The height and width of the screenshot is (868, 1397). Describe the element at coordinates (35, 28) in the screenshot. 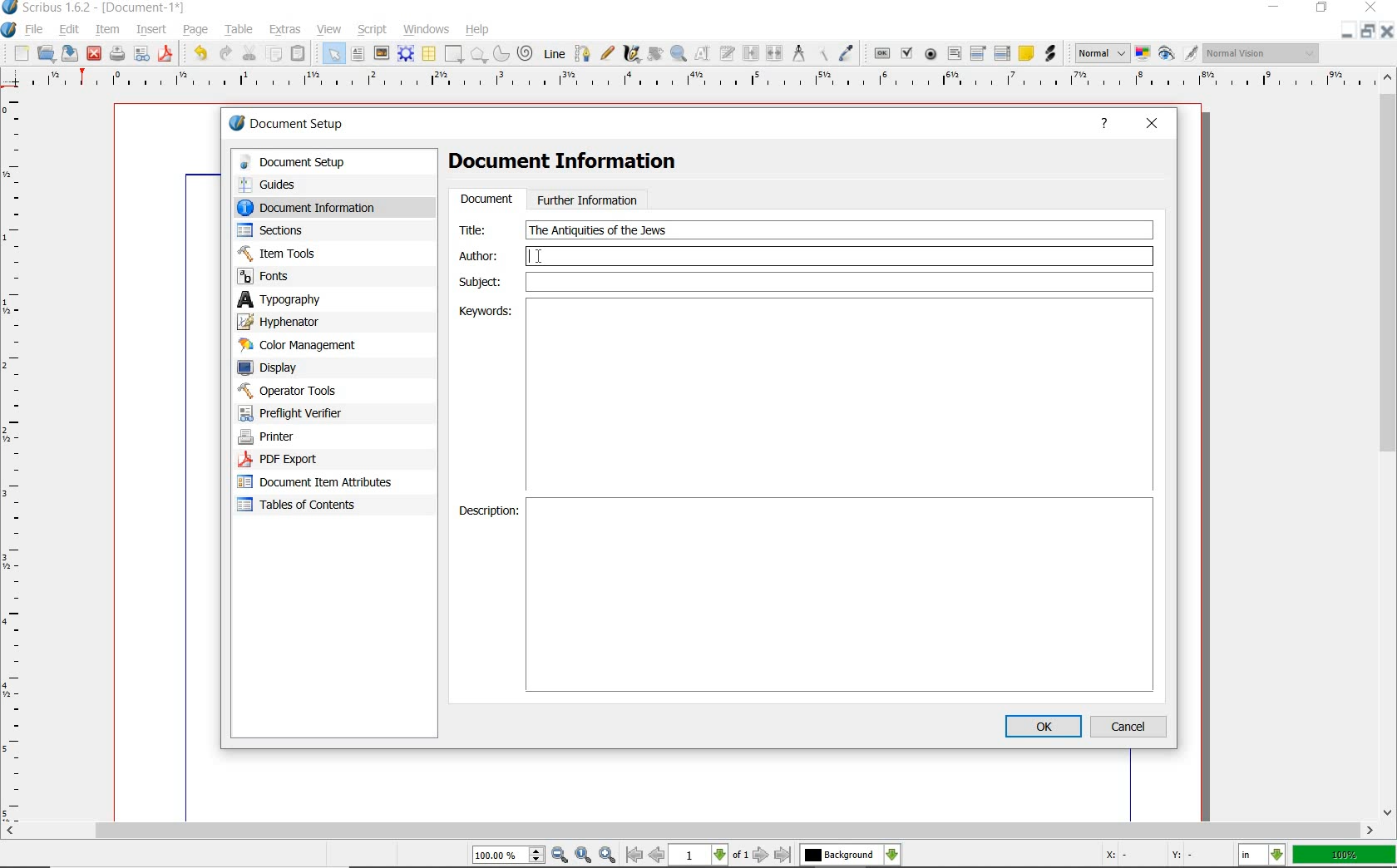

I see `file` at that location.